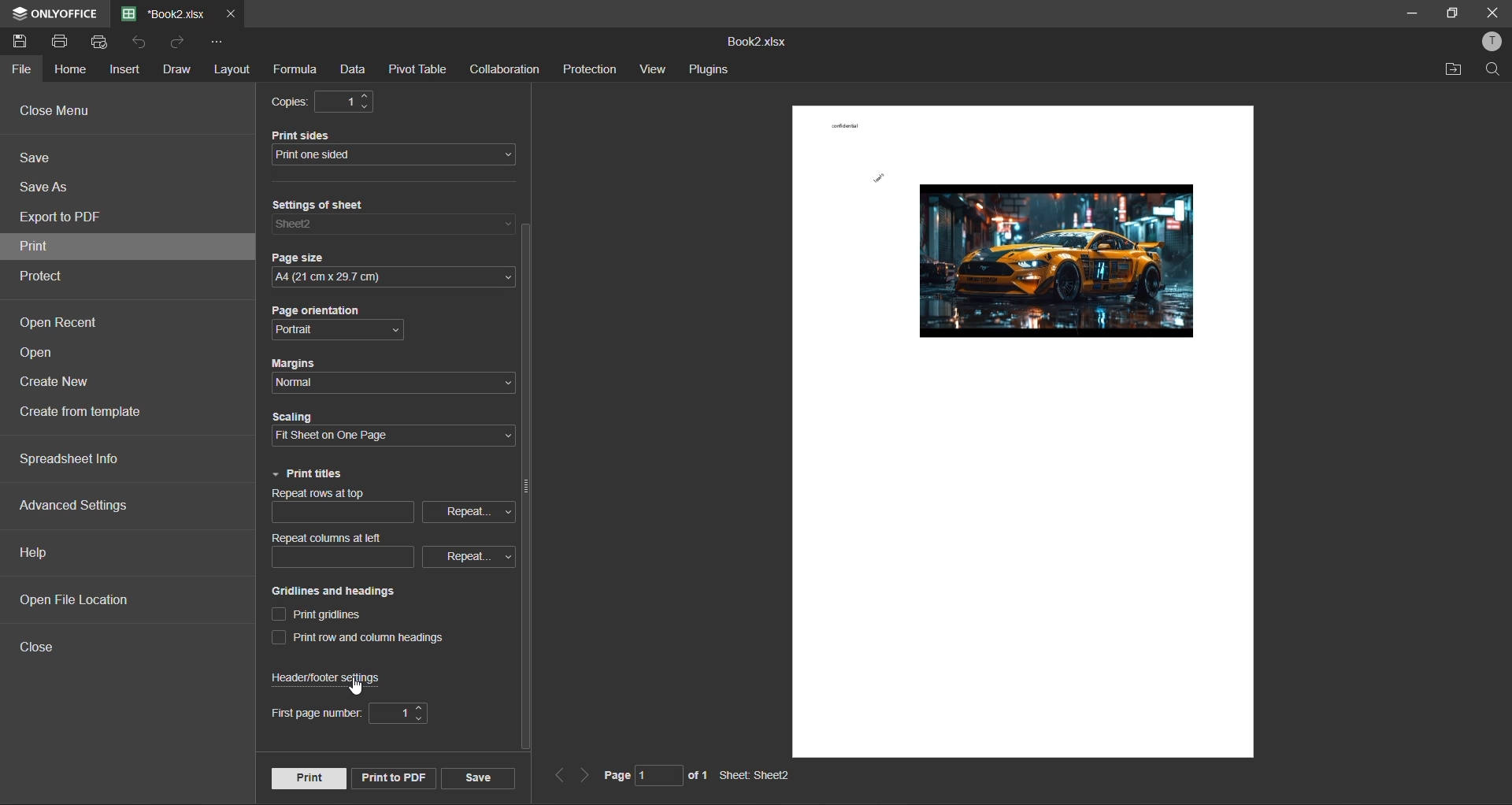  Describe the element at coordinates (358, 638) in the screenshot. I see `print row and  column heading` at that location.